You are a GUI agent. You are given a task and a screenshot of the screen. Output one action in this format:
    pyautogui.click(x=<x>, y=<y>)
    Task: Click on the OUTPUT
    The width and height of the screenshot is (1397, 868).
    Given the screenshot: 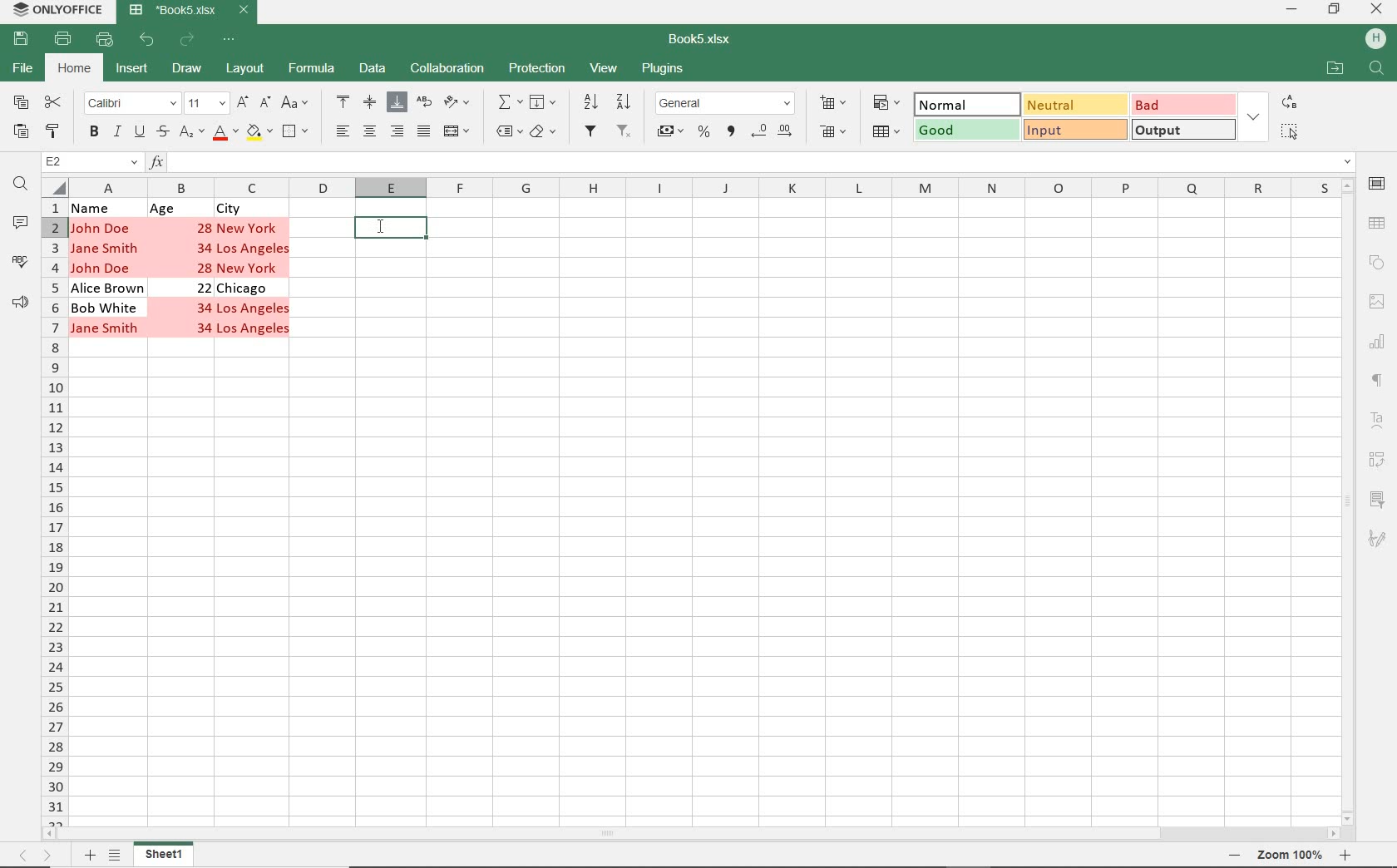 What is the action you would take?
    pyautogui.click(x=1184, y=130)
    